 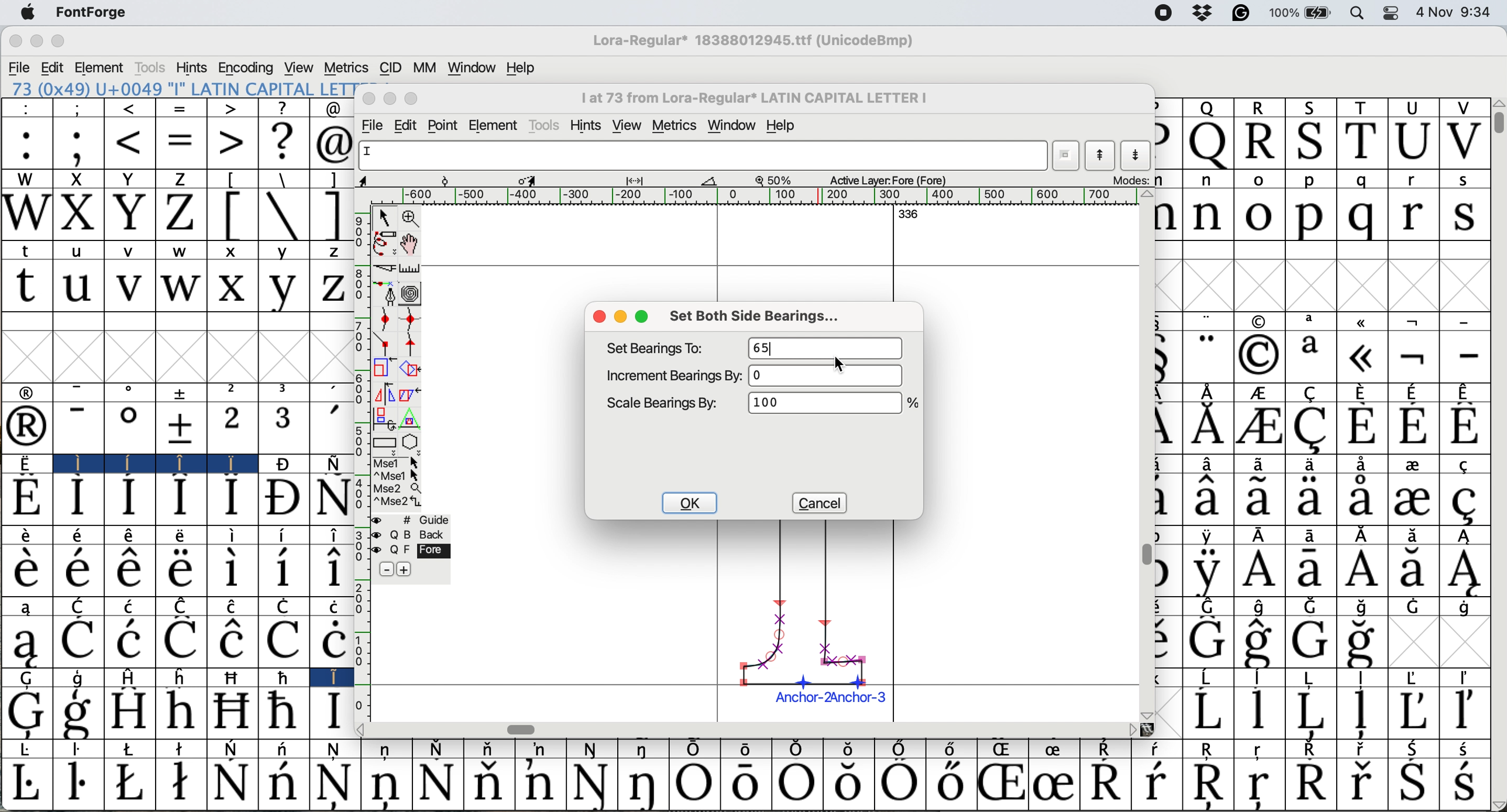 I want to click on ], so click(x=332, y=215).